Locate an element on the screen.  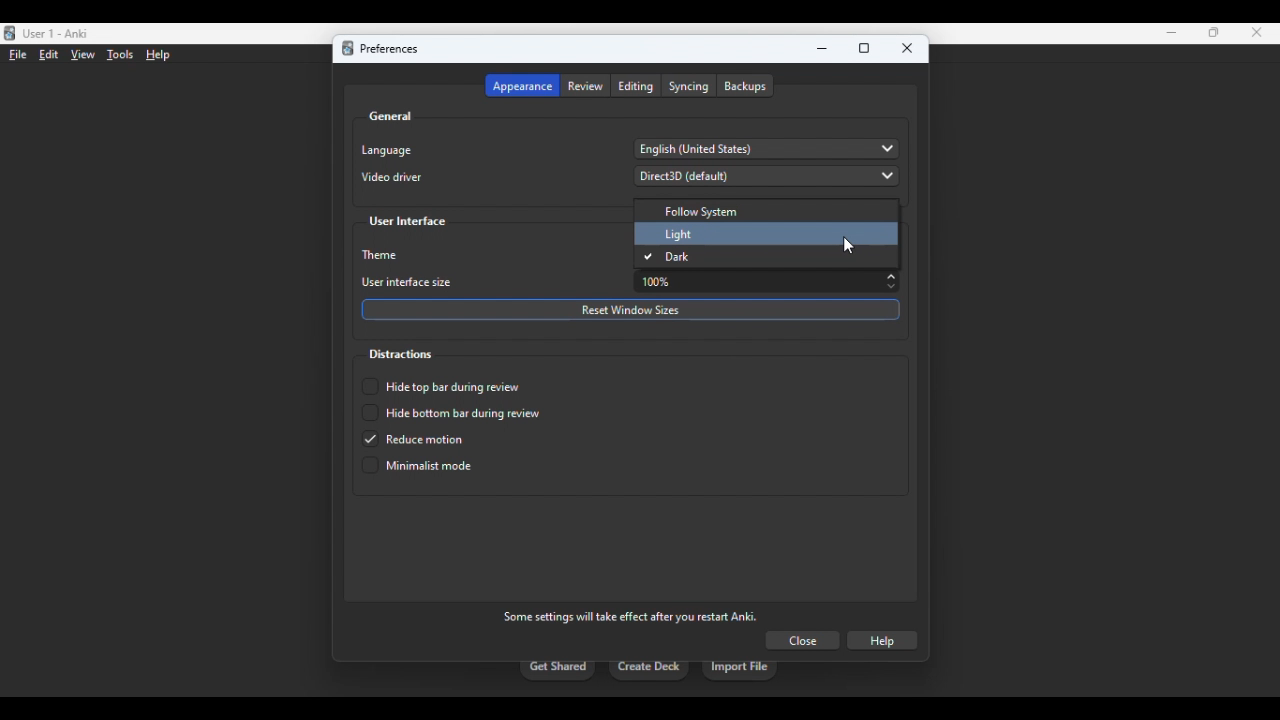
close is located at coordinates (1257, 32).